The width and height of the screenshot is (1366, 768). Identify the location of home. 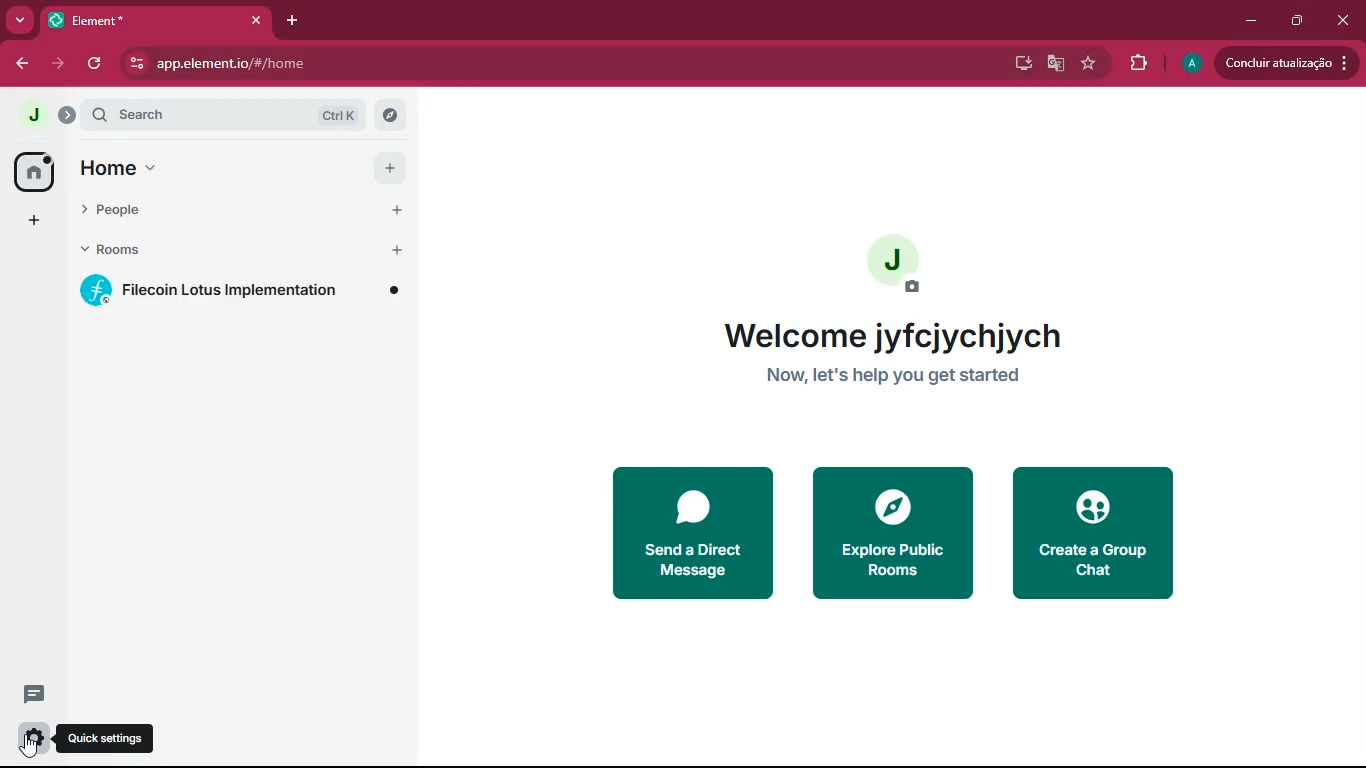
(38, 170).